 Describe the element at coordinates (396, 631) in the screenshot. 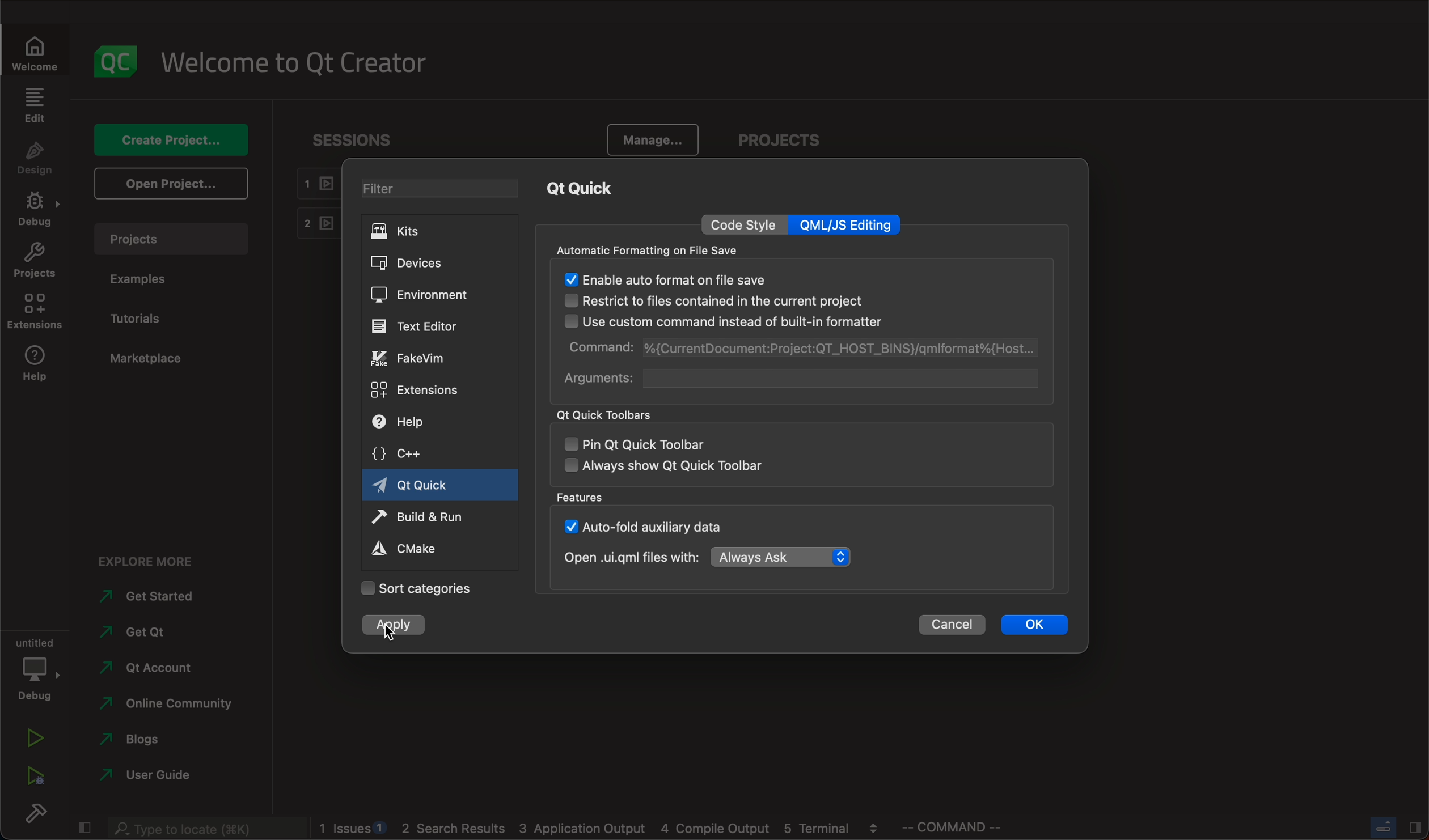

I see `cursor` at that location.